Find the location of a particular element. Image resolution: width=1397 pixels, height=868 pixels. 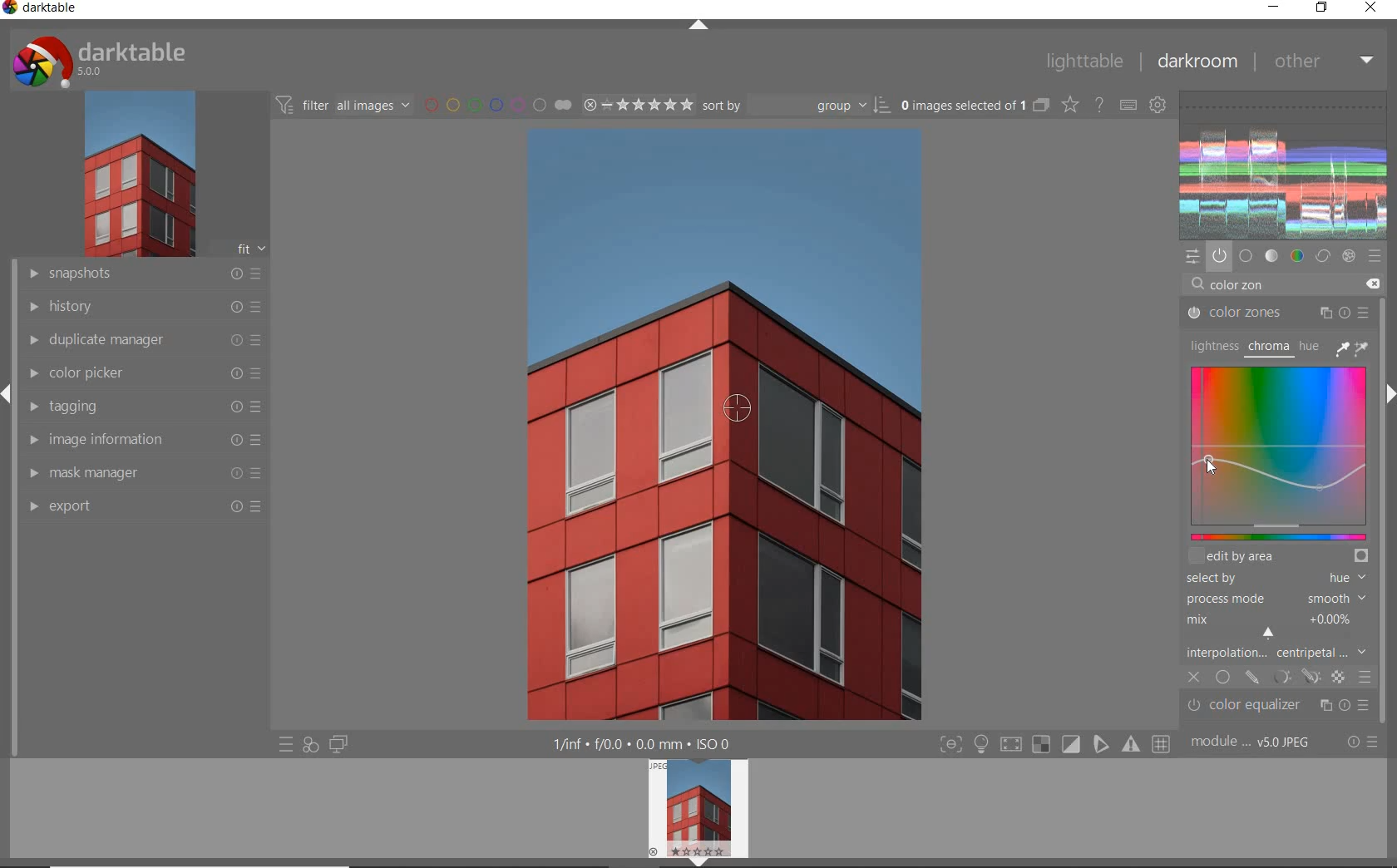

DELETE is located at coordinates (1372, 283).